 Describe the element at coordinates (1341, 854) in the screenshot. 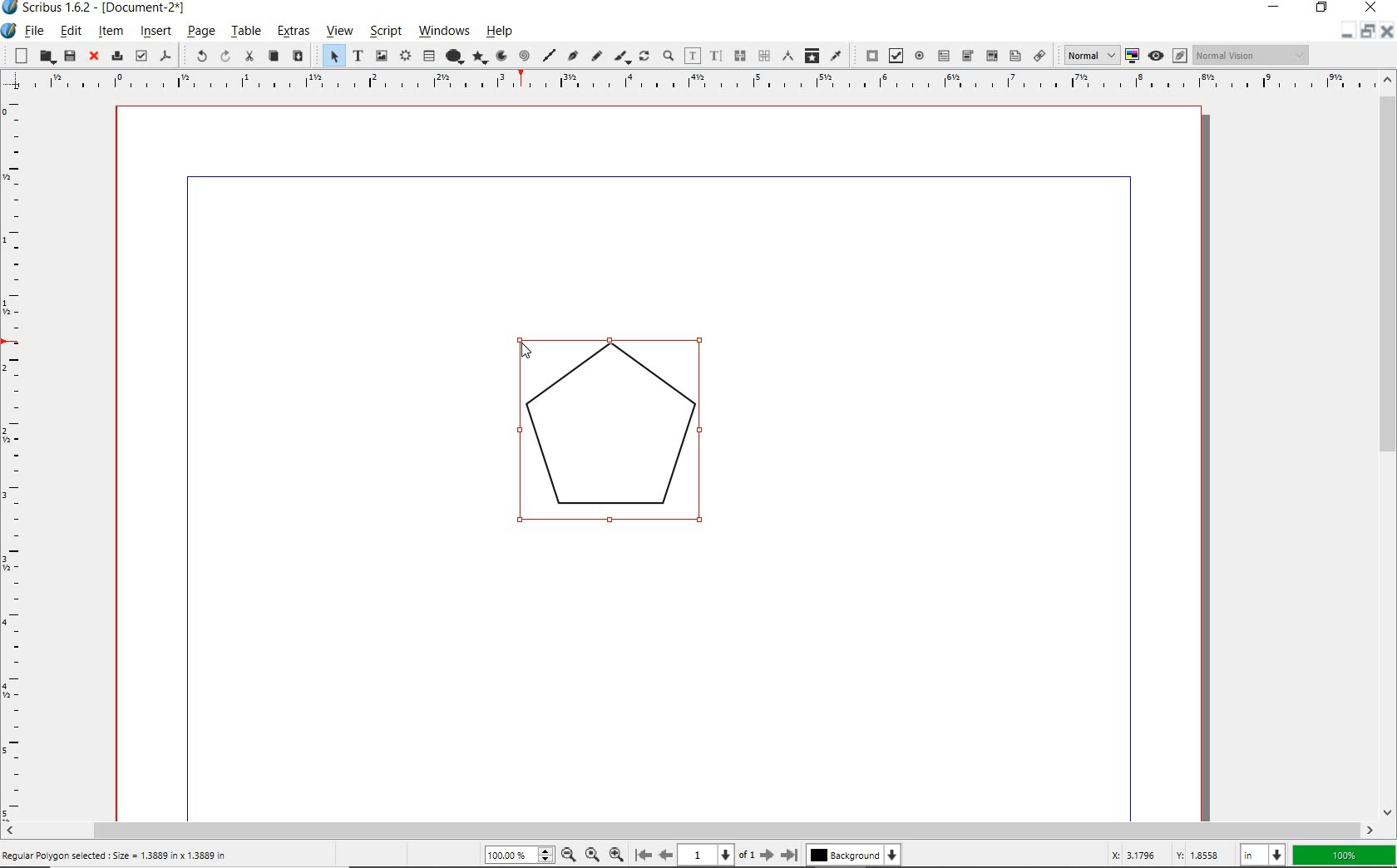

I see `100%` at that location.